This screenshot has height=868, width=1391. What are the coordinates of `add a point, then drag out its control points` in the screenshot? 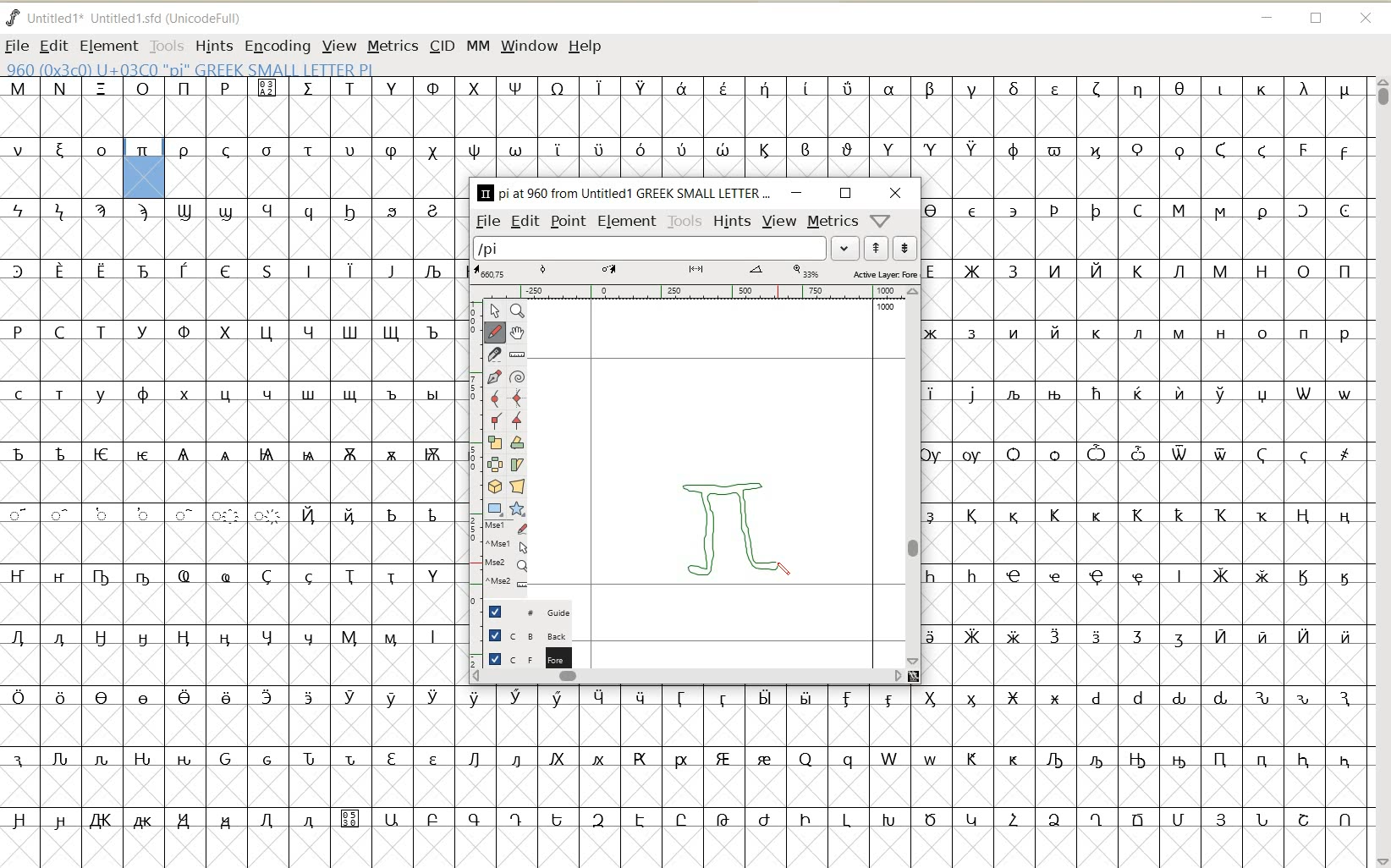 It's located at (494, 375).